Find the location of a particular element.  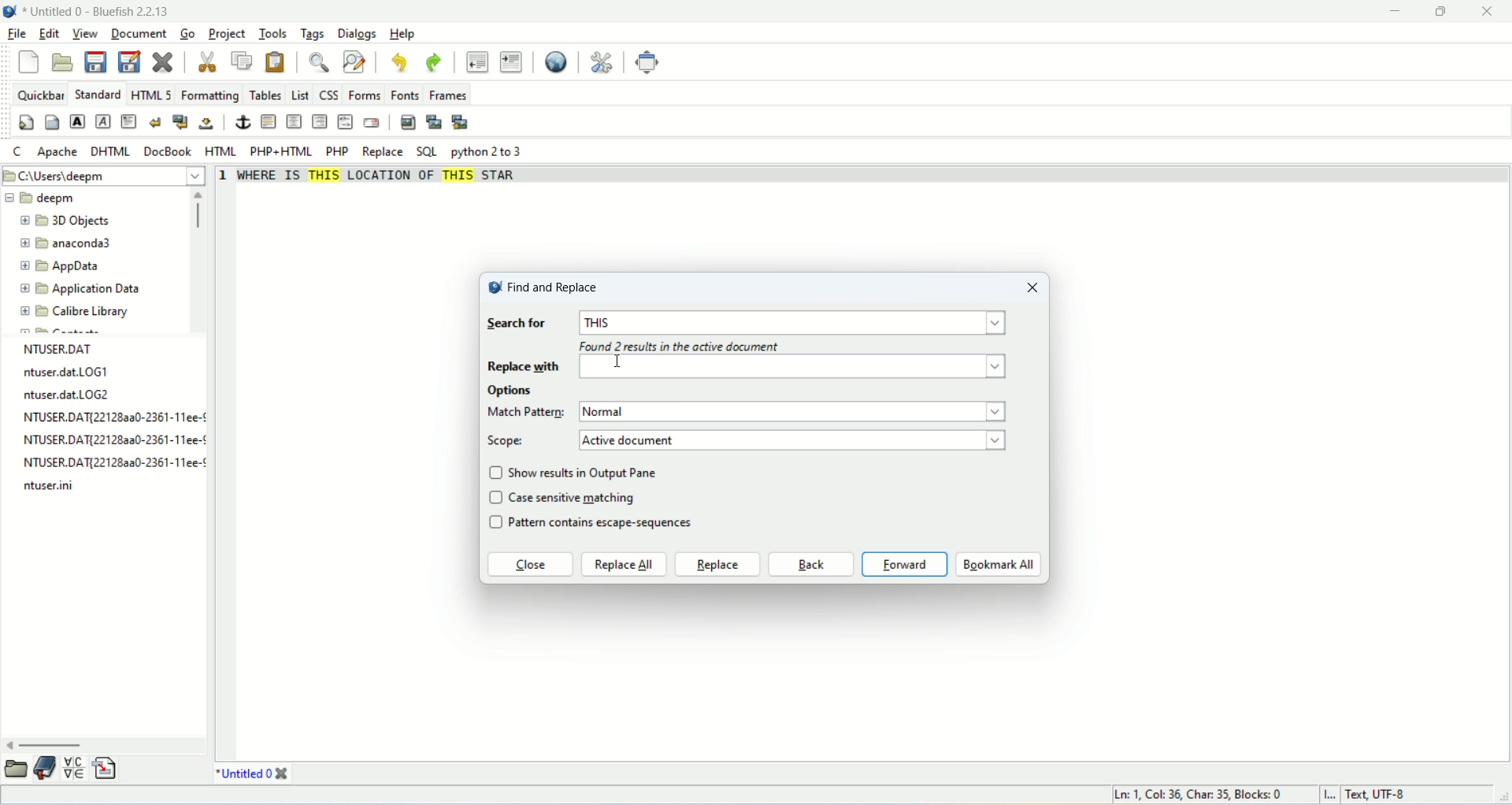

raplace is located at coordinates (717, 564).